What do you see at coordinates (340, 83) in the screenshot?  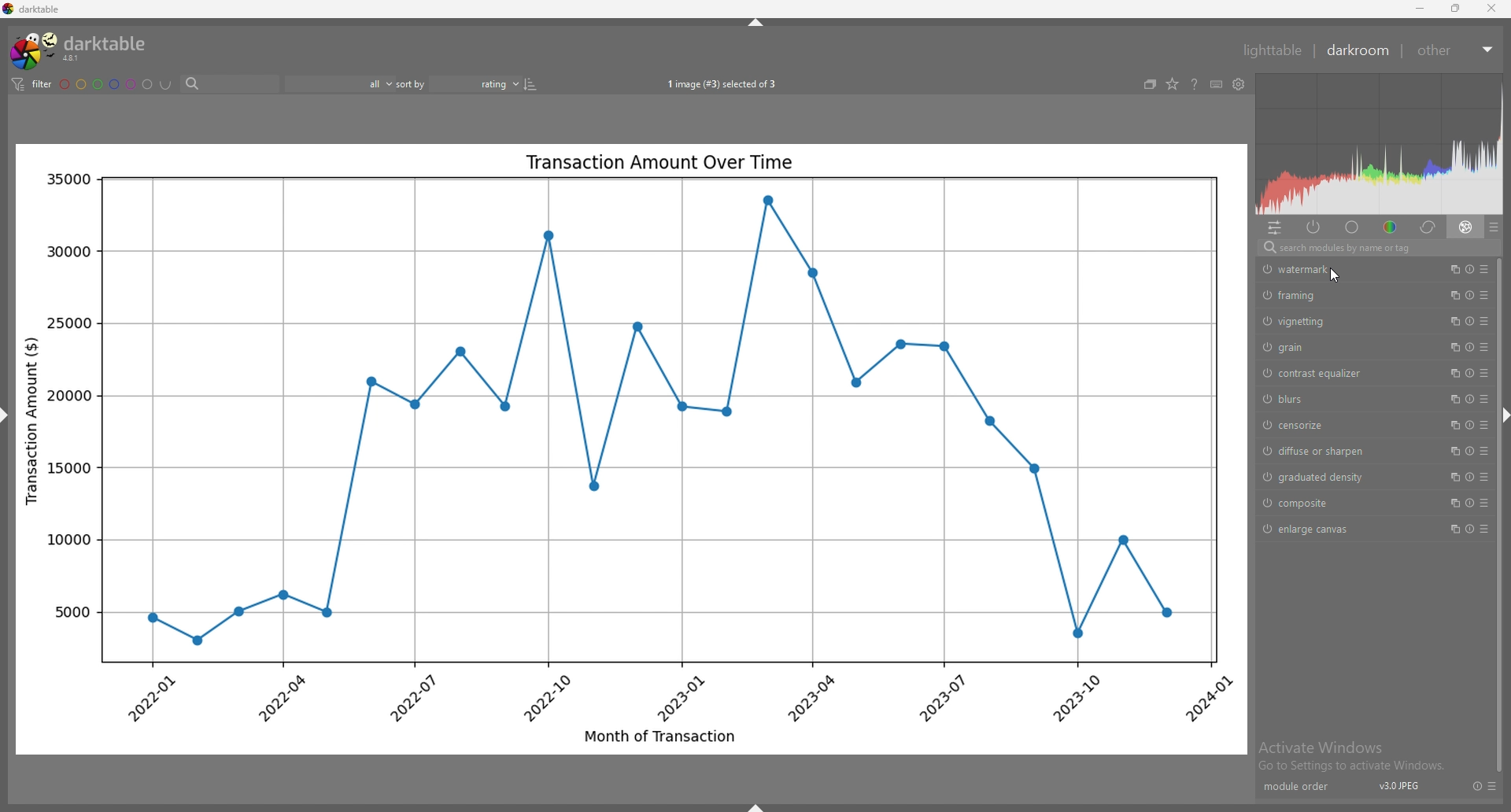 I see `filter by rating` at bounding box center [340, 83].